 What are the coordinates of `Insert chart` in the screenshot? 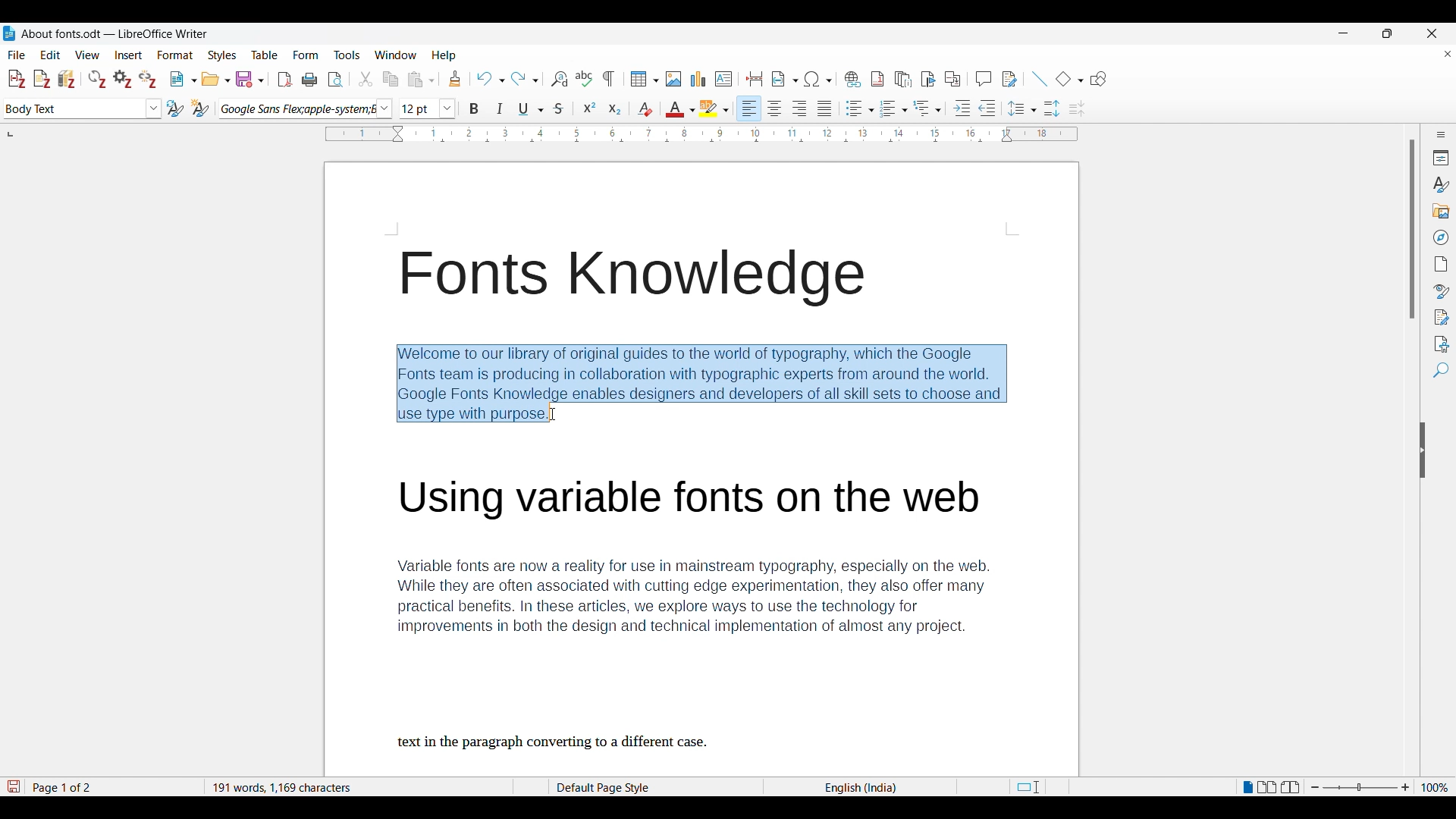 It's located at (698, 79).